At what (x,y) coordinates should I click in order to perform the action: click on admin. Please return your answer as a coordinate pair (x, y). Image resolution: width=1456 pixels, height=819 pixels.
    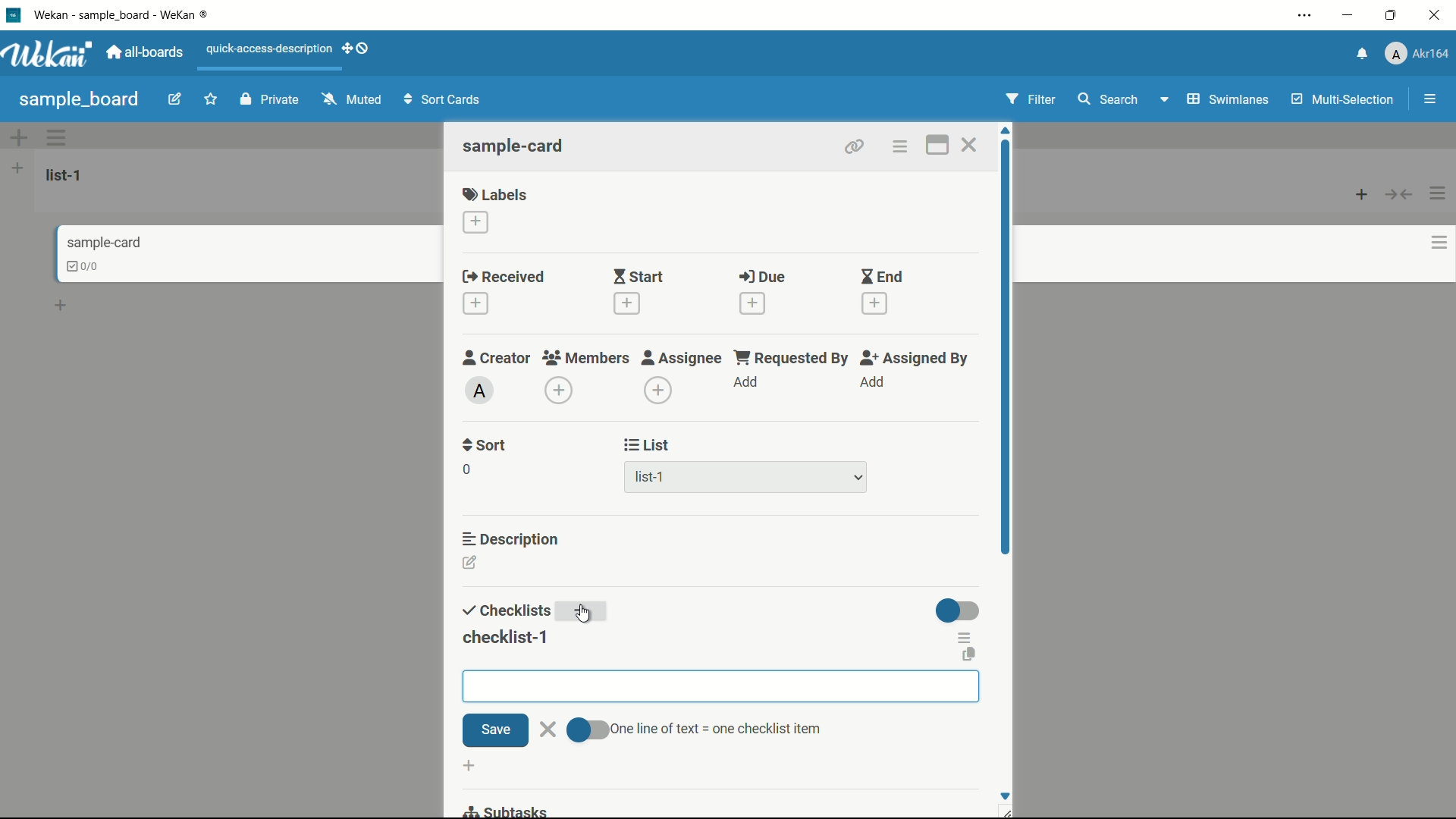
    Looking at the image, I should click on (480, 391).